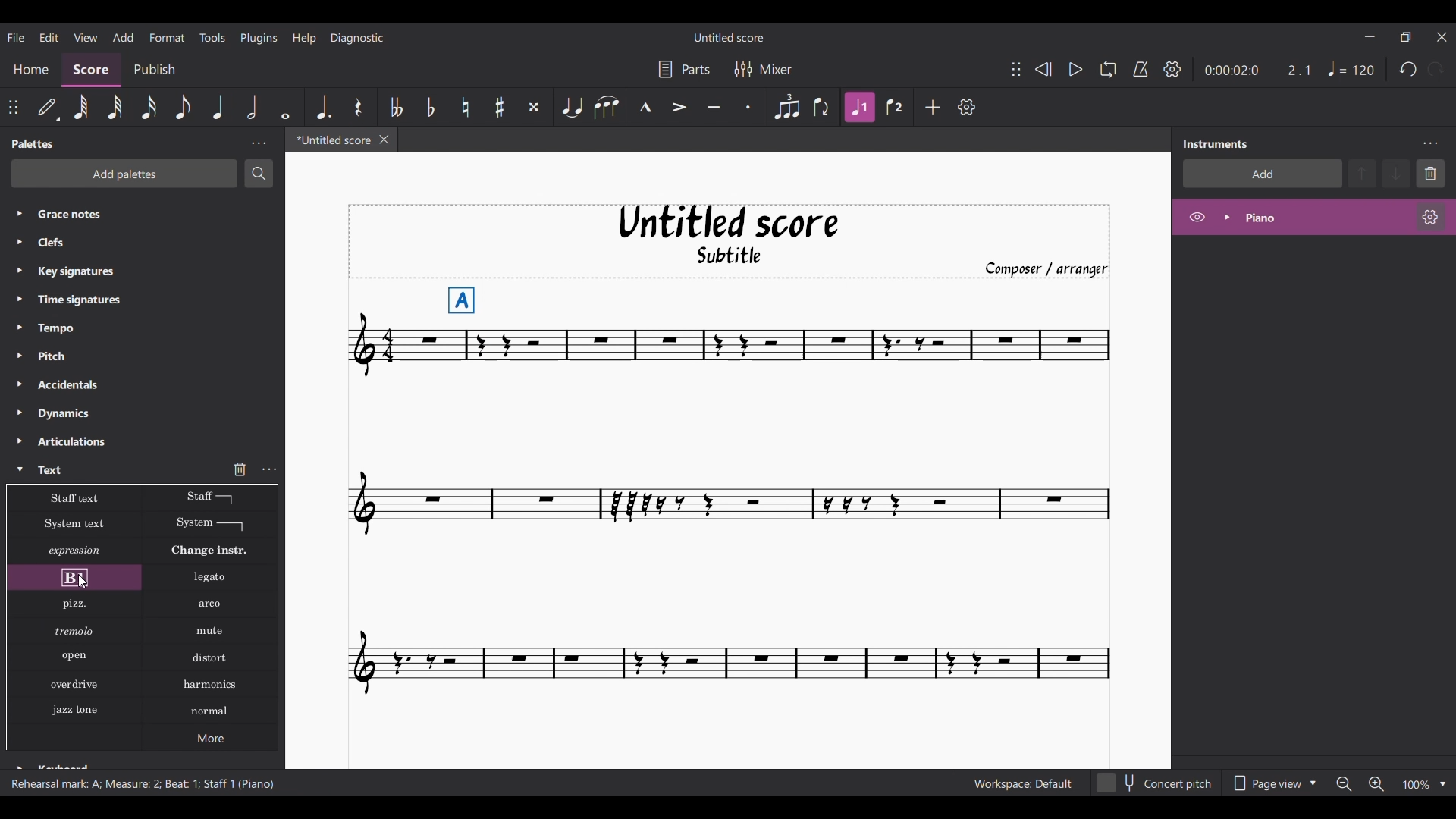 The width and height of the screenshot is (1456, 819). What do you see at coordinates (149, 107) in the screenshot?
I see `16th note` at bounding box center [149, 107].